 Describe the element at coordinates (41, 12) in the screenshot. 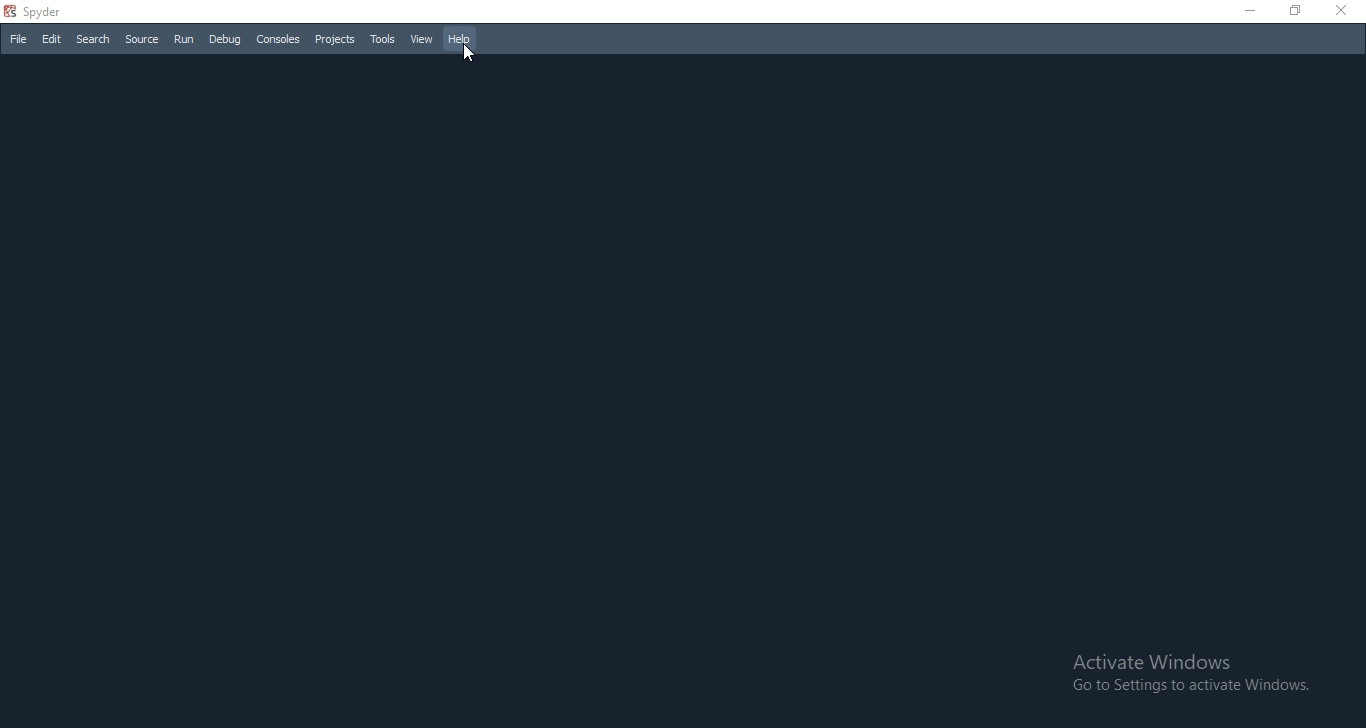

I see `spyder` at that location.